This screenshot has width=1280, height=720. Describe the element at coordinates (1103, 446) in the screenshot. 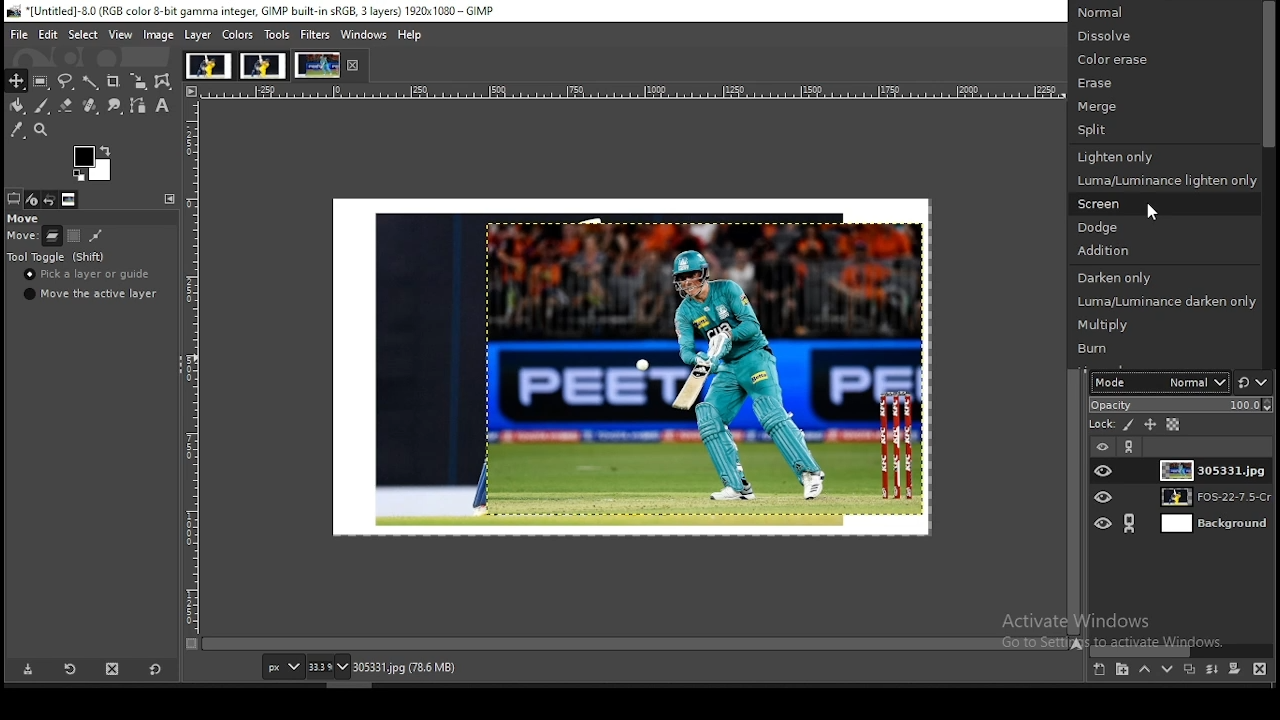

I see `visibility` at that location.